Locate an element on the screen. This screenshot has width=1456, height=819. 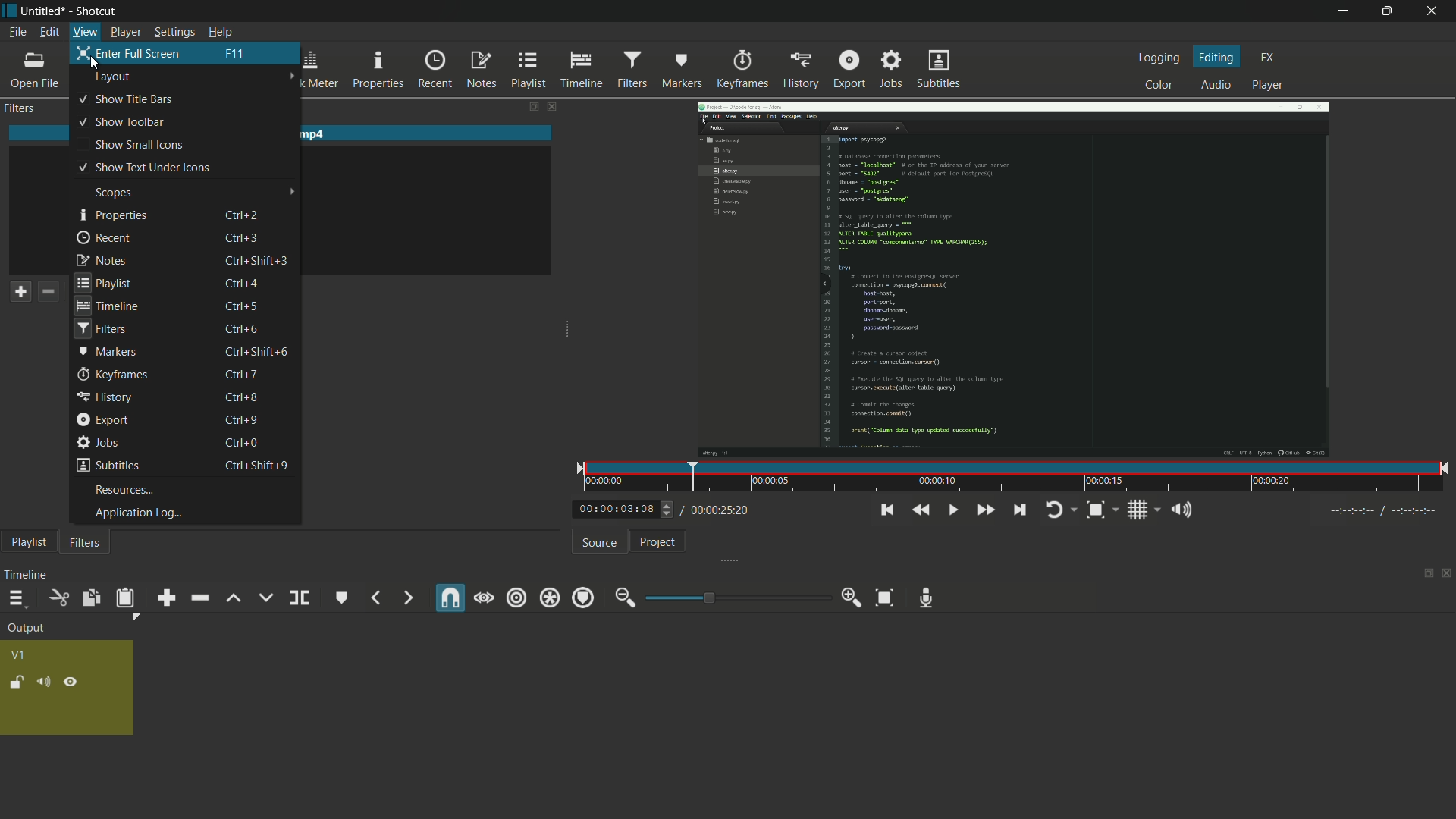
quickly play forward is located at coordinates (986, 510).